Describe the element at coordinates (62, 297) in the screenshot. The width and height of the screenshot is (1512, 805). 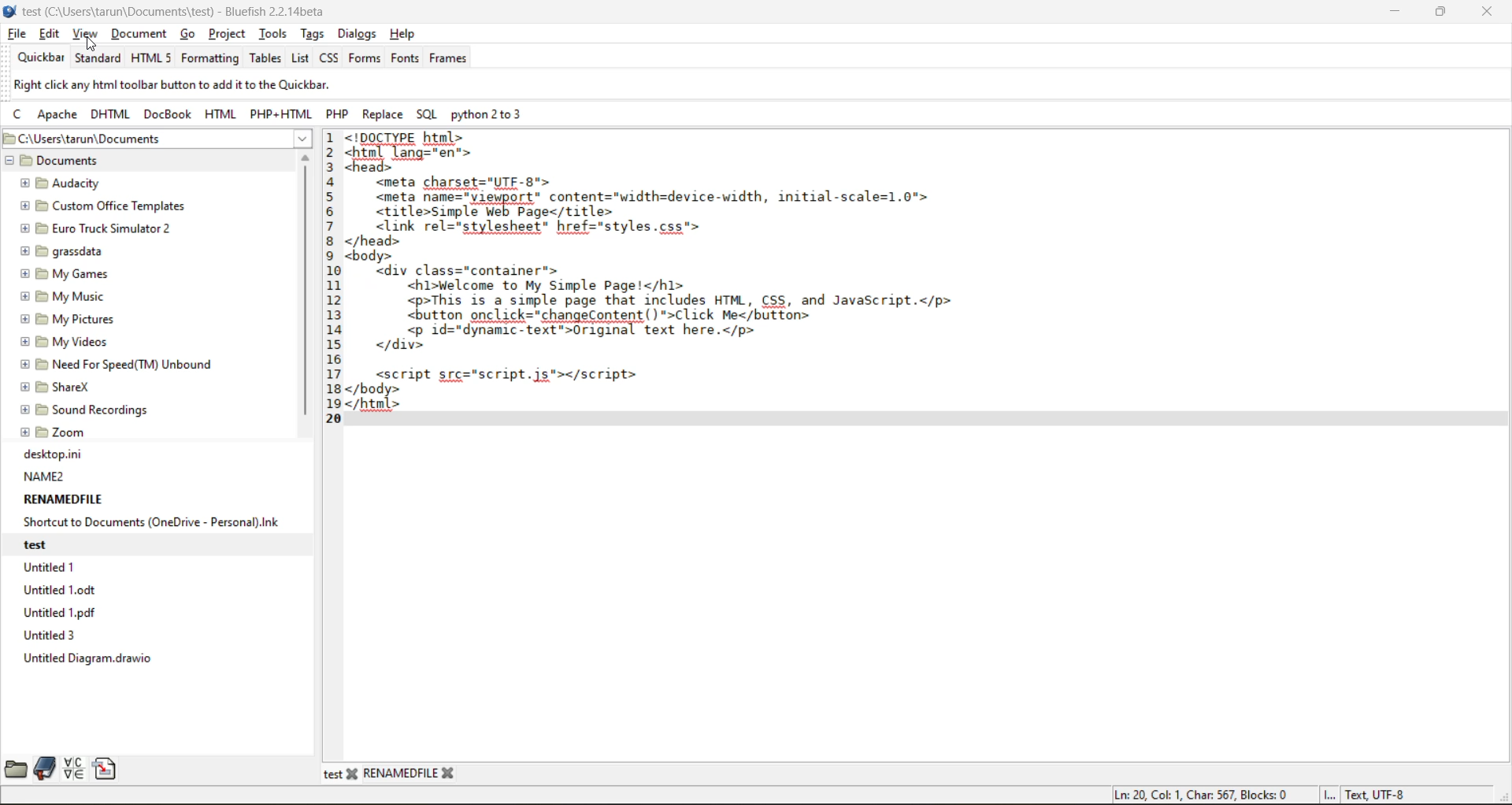
I see `® FB My Music` at that location.